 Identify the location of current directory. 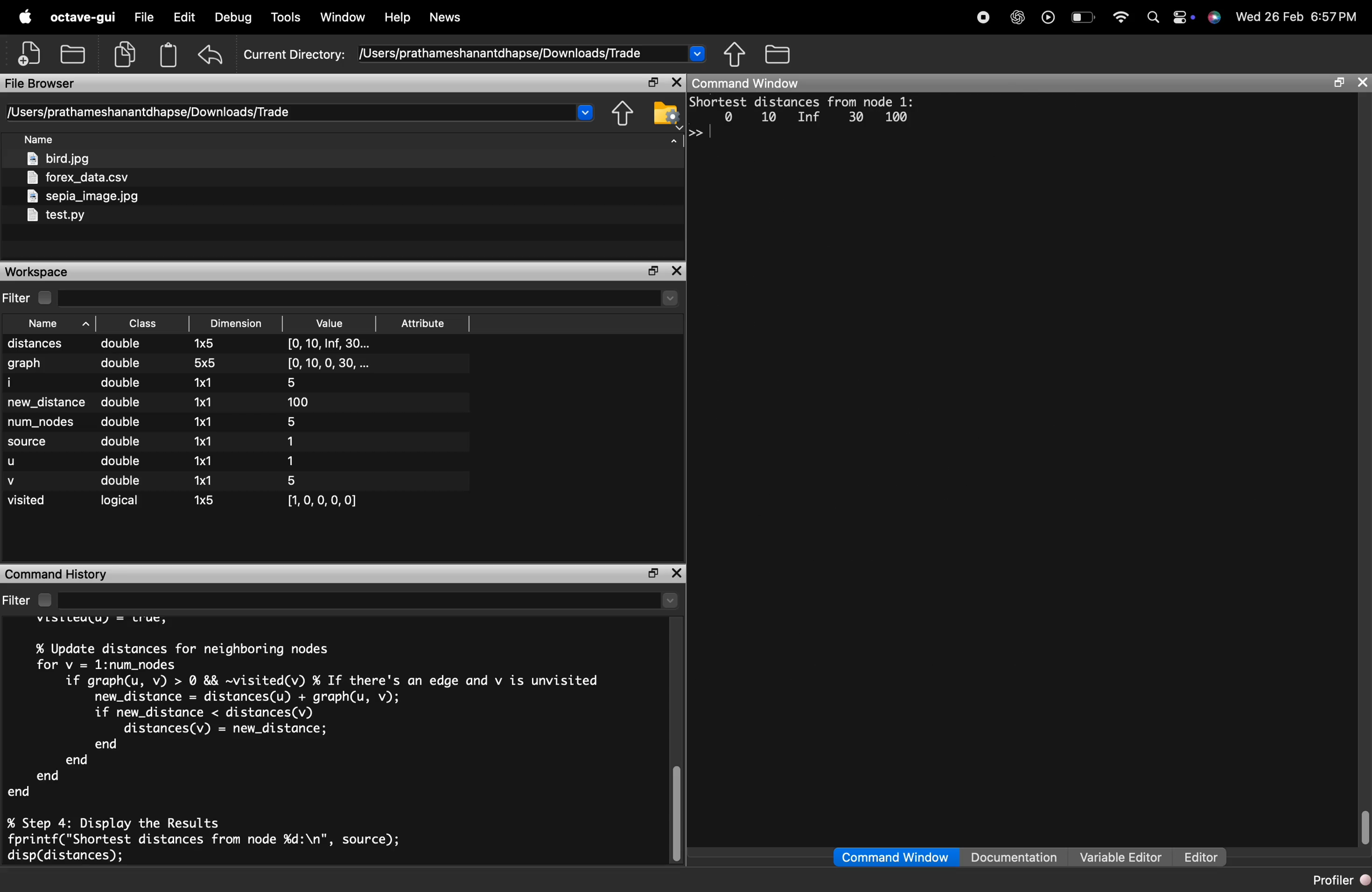
(473, 54).